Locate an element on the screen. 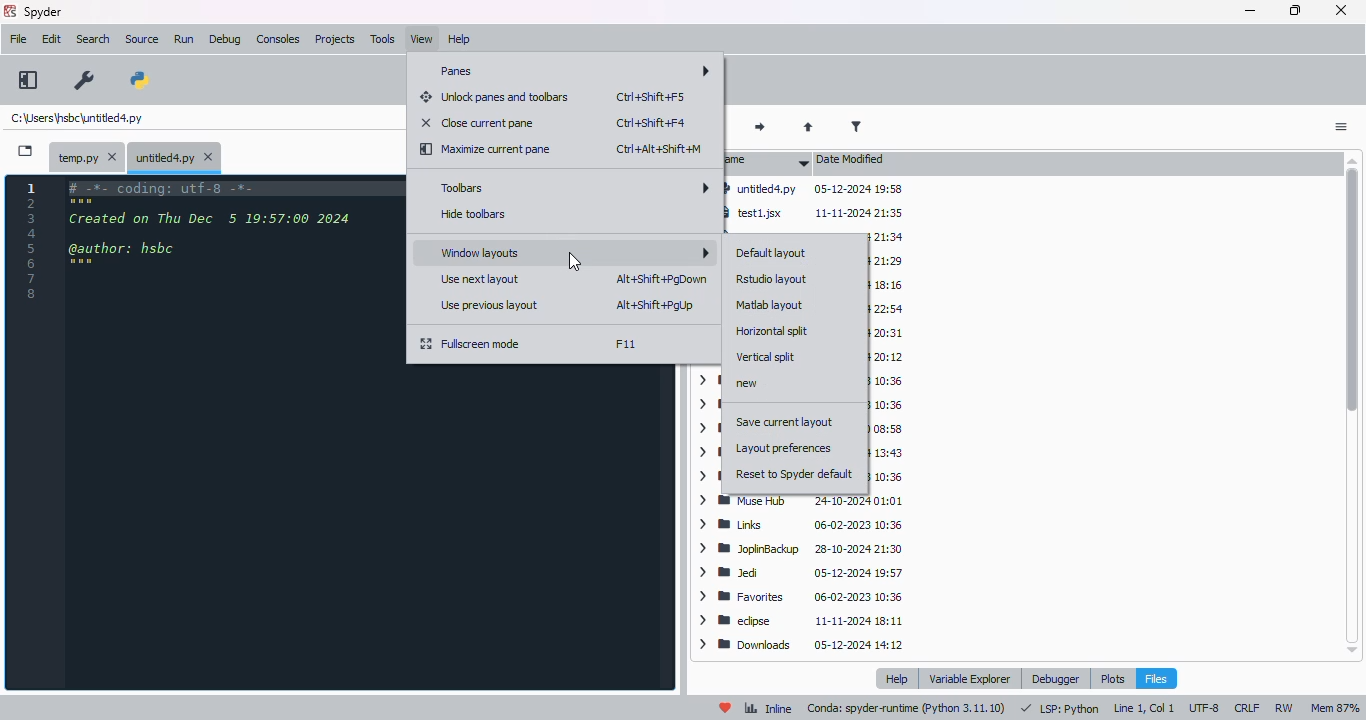 The width and height of the screenshot is (1366, 720). close current pane is located at coordinates (477, 122).